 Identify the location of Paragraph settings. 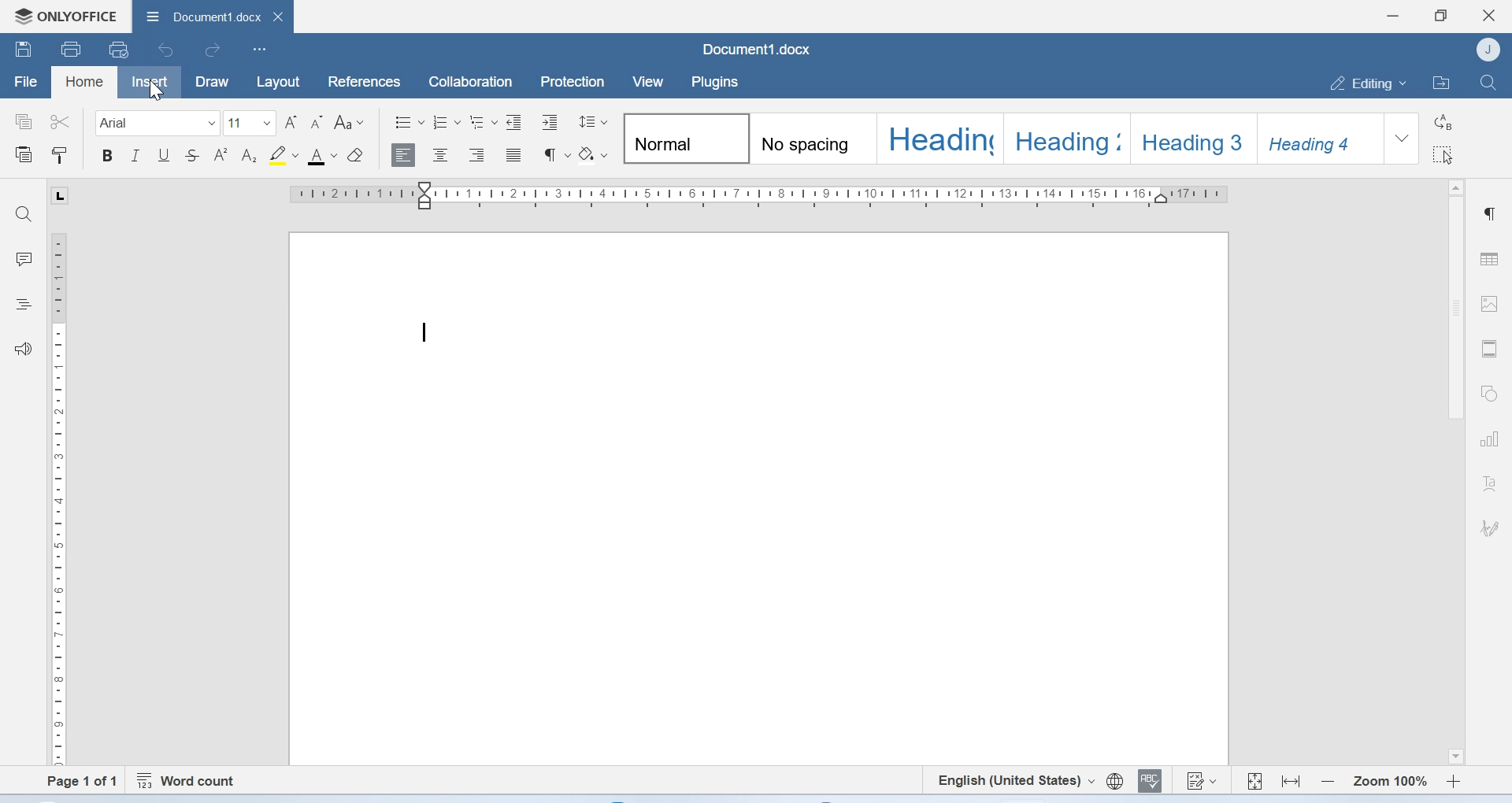
(1492, 214).